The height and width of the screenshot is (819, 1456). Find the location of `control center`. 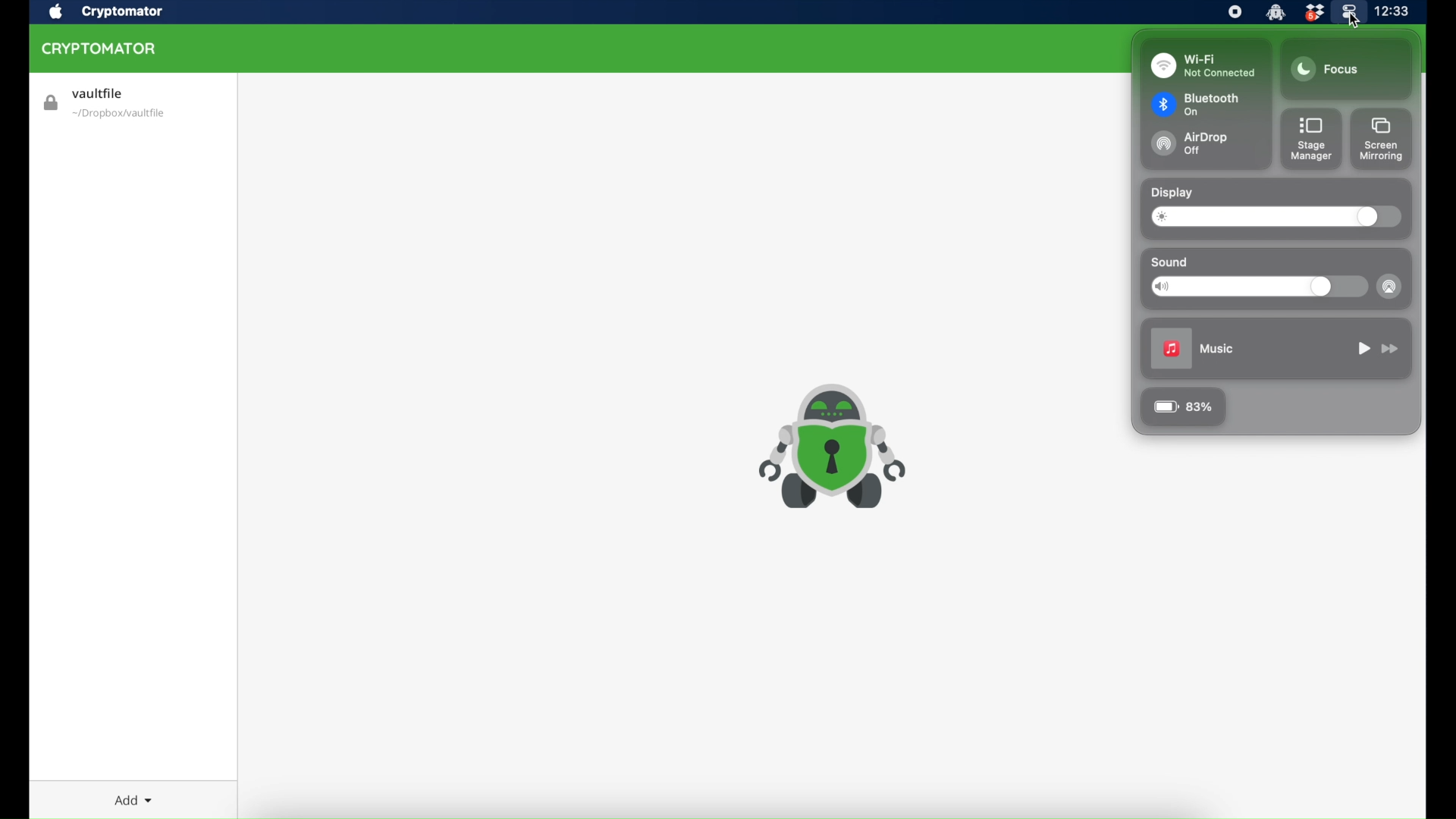

control center is located at coordinates (1348, 11).